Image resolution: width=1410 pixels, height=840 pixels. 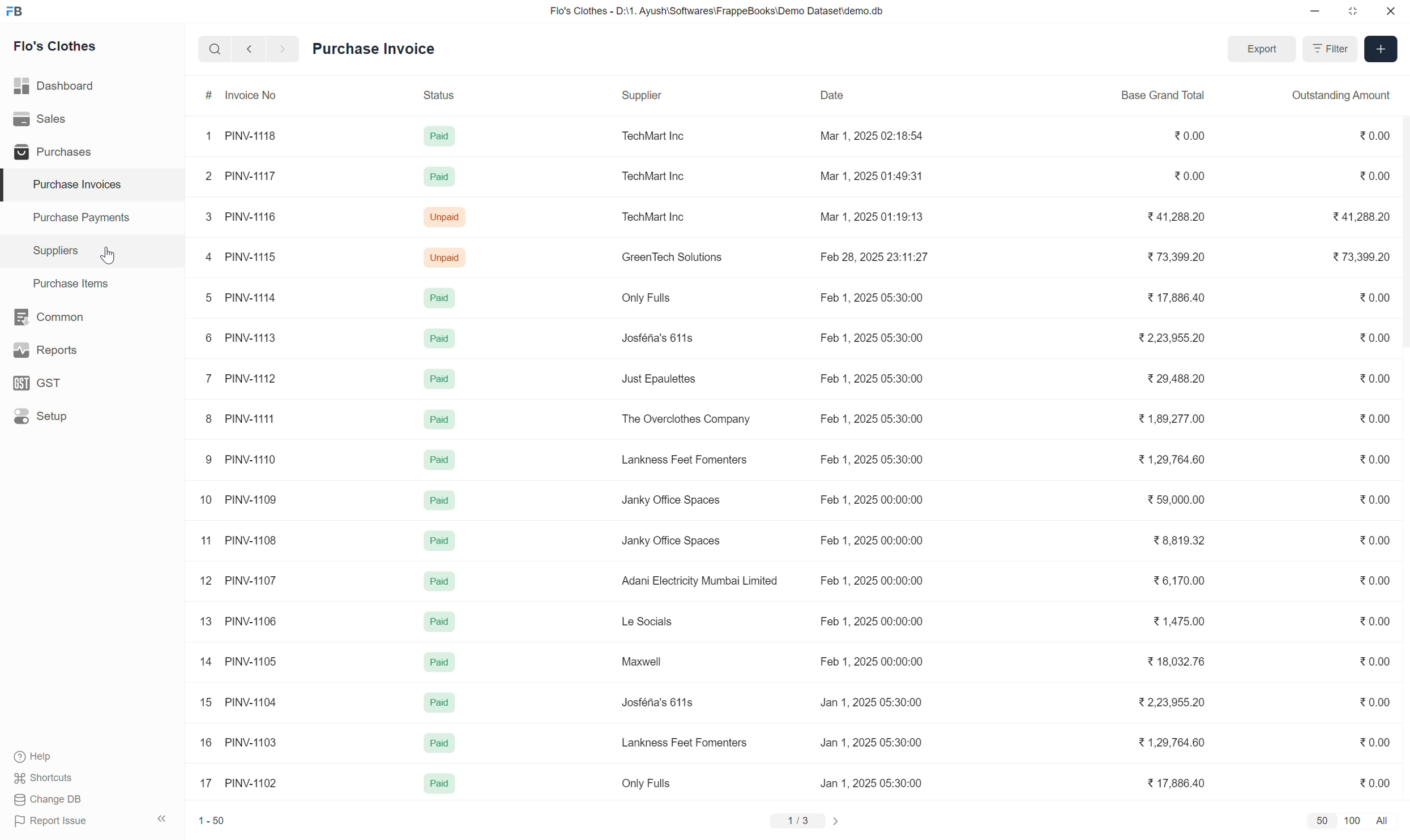 What do you see at coordinates (55, 82) in the screenshot?
I see `Dashboard` at bounding box center [55, 82].